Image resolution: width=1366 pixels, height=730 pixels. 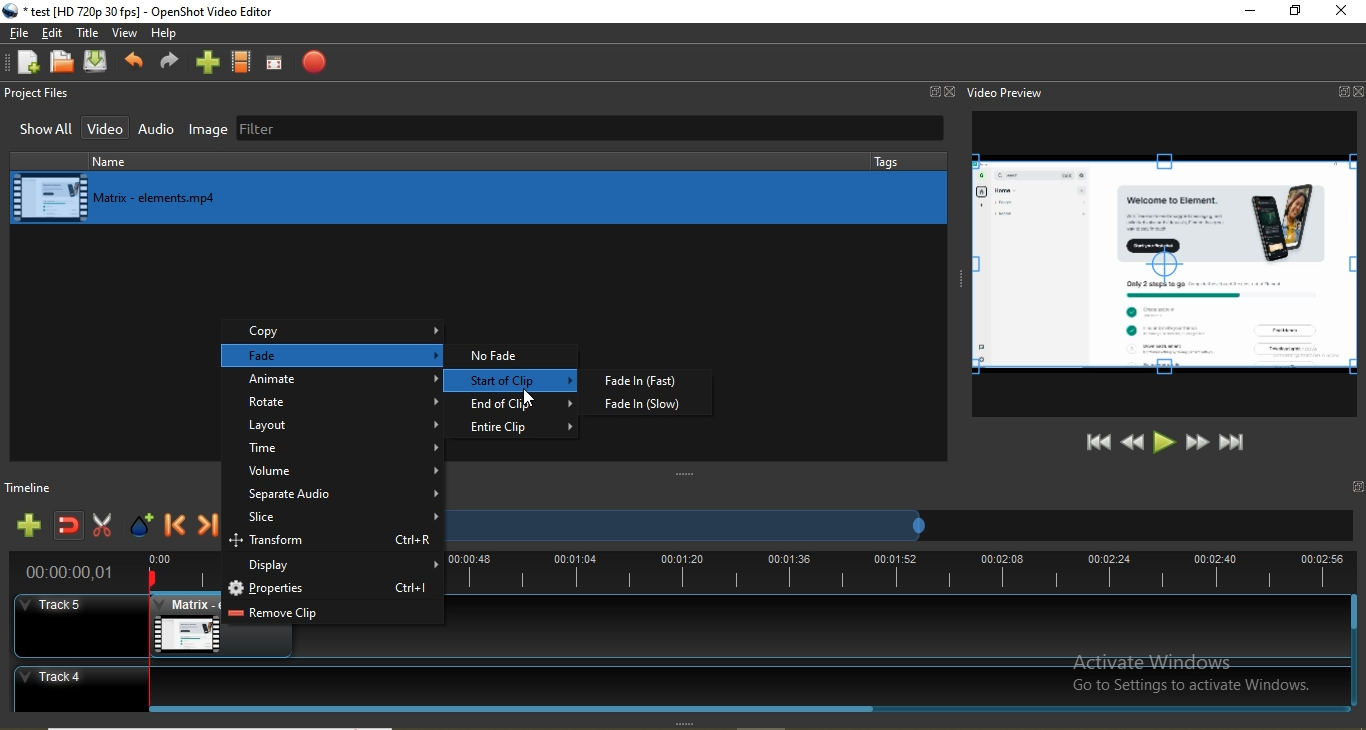 I want to click on no fade, so click(x=517, y=355).